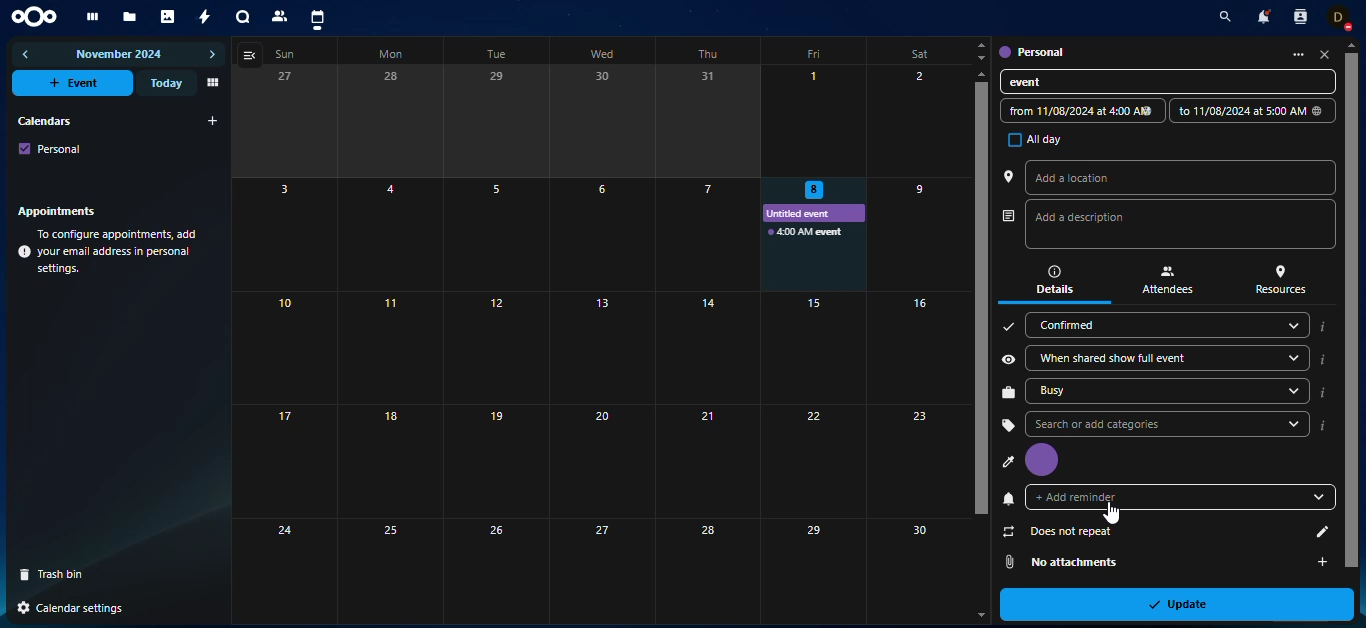 This screenshot has width=1366, height=628. I want to click on 16, so click(917, 348).